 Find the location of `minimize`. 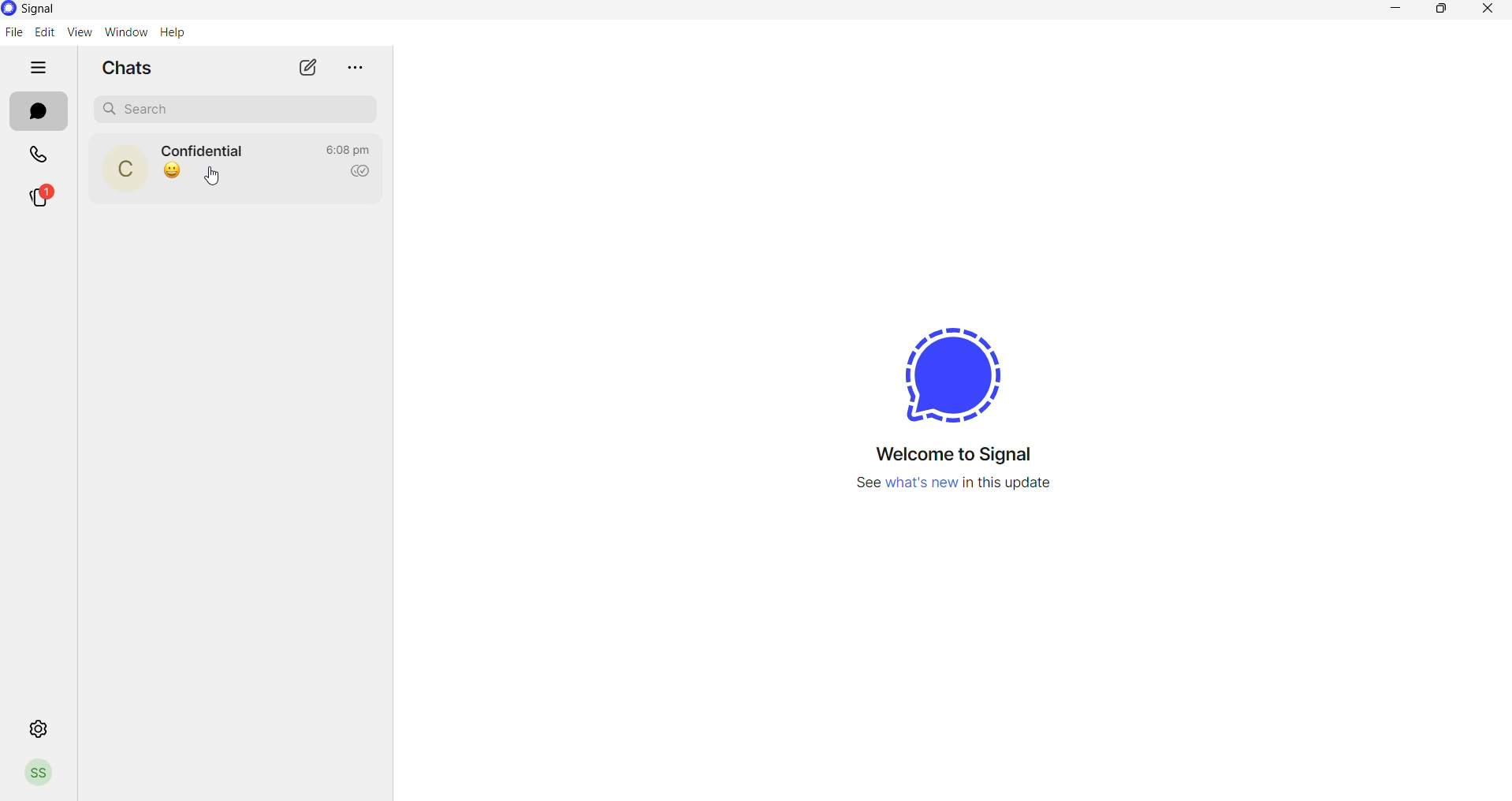

minimize is located at coordinates (1401, 9).